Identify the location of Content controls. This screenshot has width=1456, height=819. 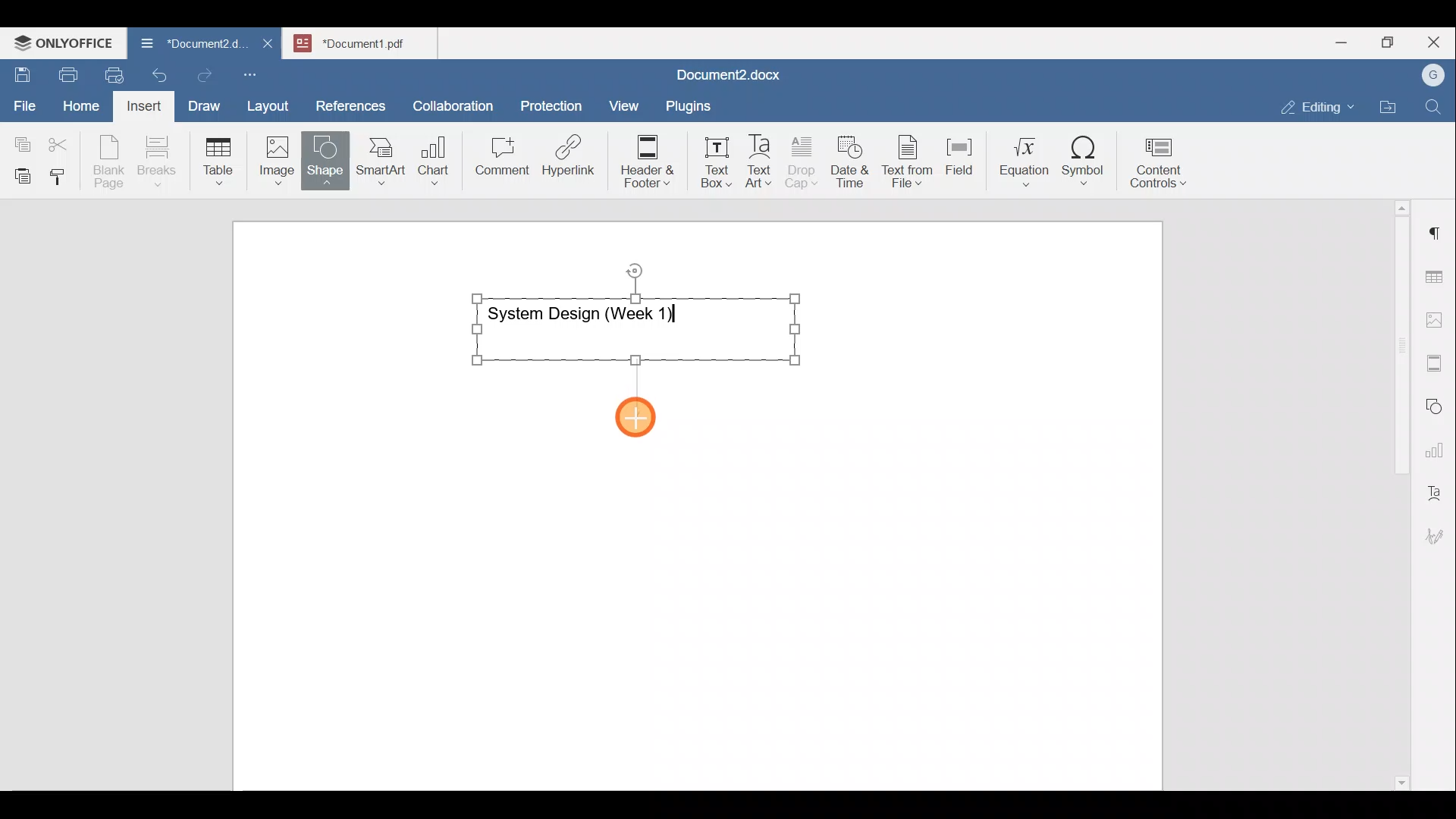
(1161, 168).